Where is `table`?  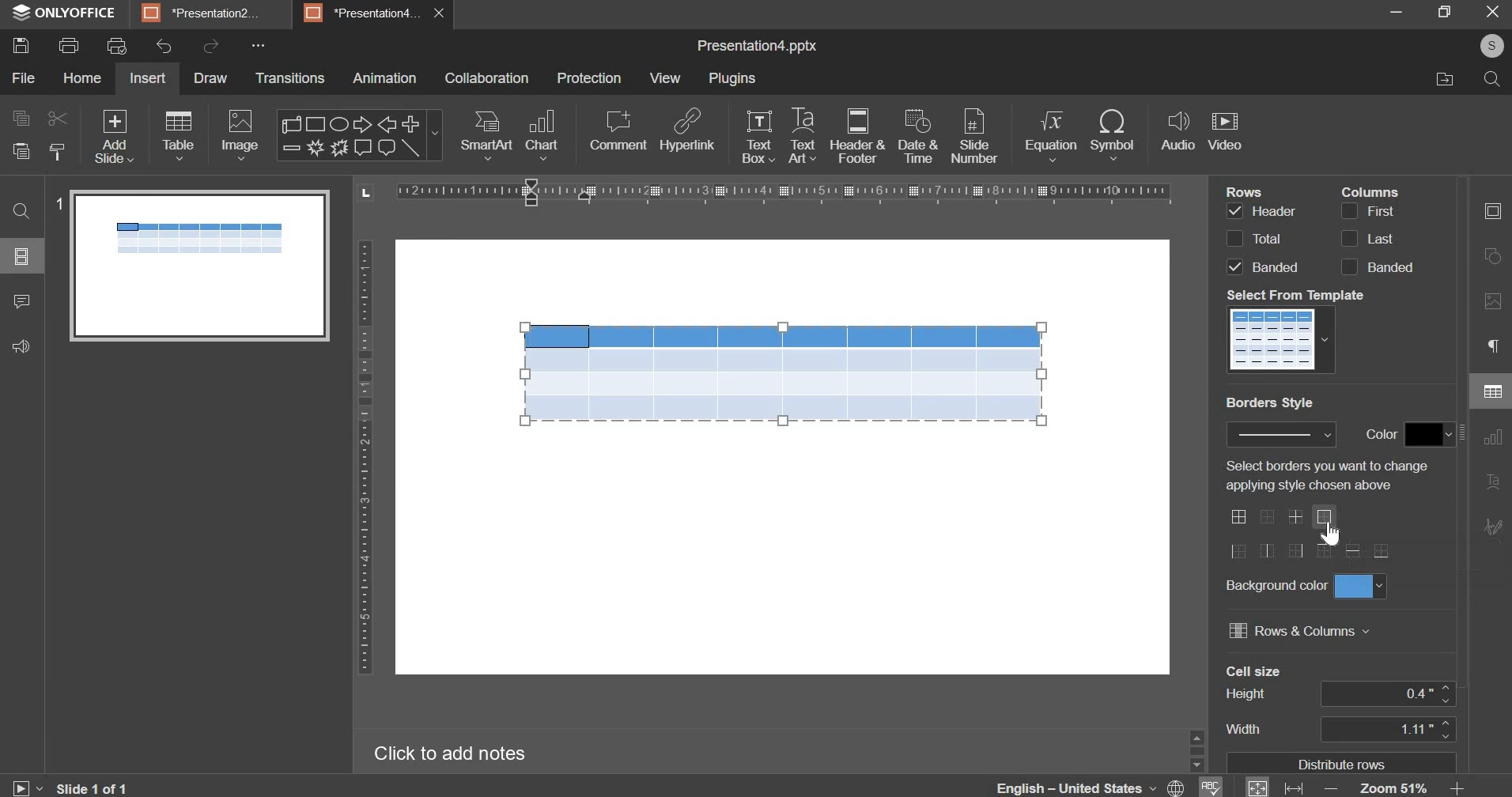 table is located at coordinates (786, 372).